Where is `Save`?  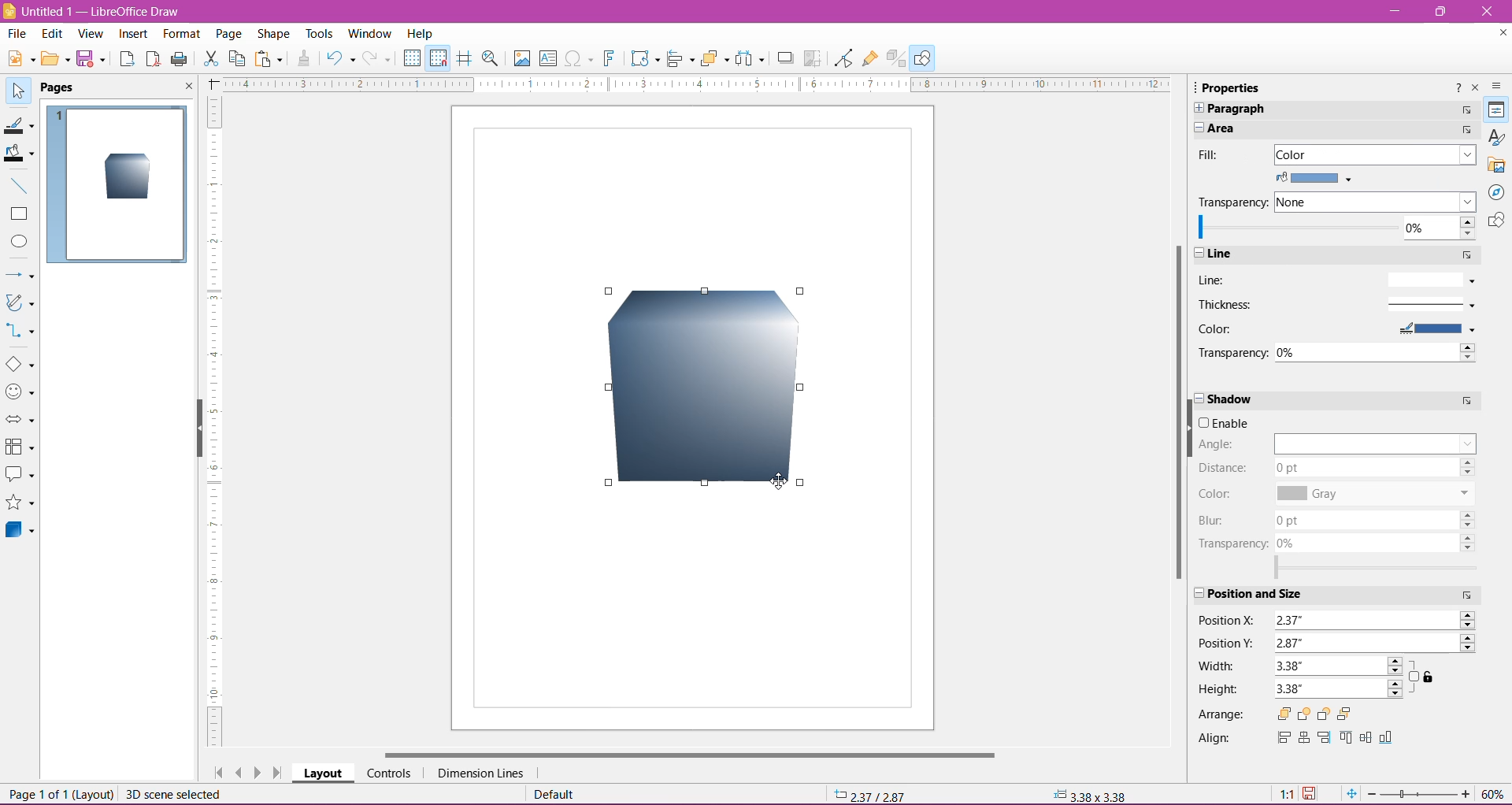
Save is located at coordinates (91, 60).